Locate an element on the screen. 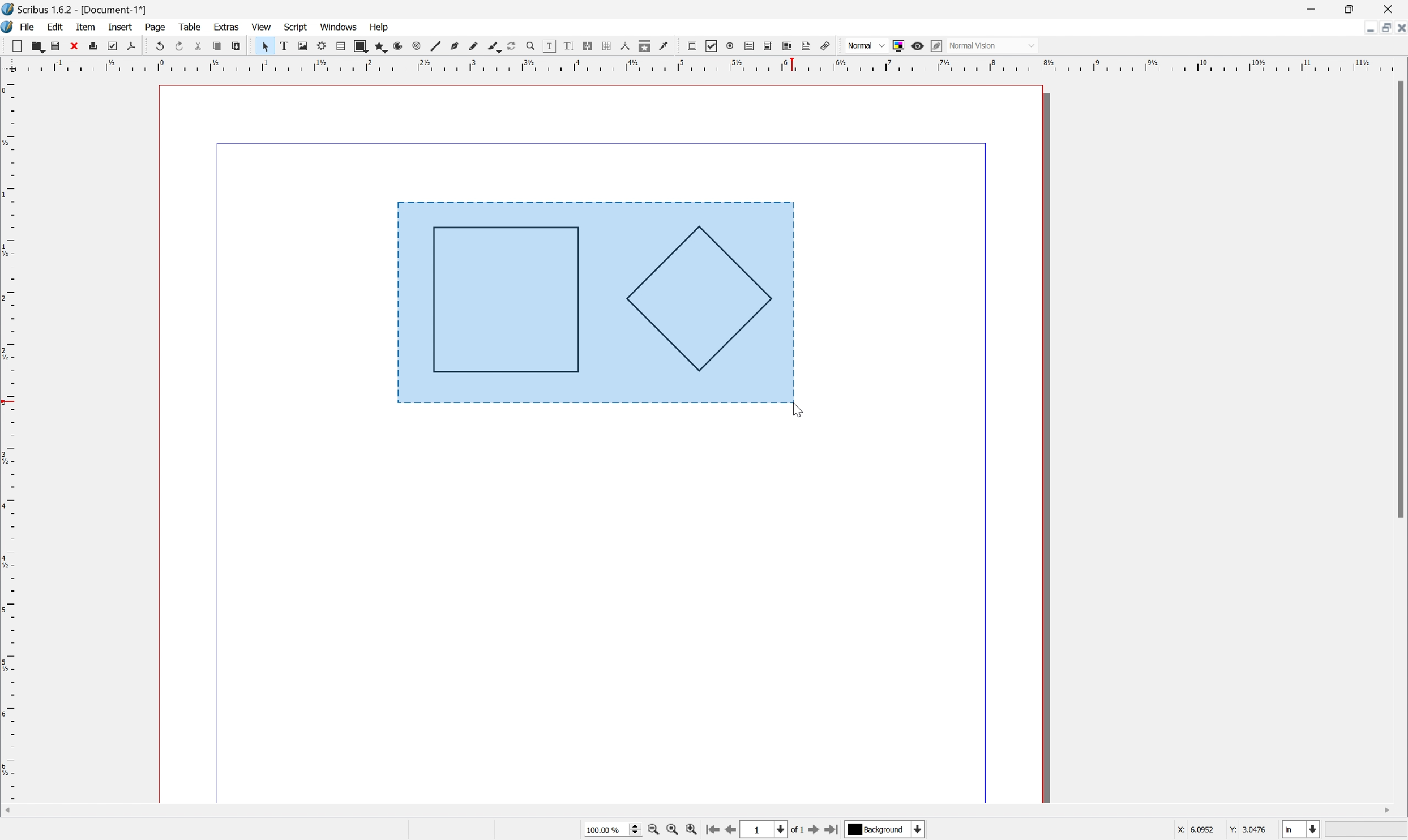 This screenshot has width=1408, height=840. Normal is located at coordinates (866, 45).